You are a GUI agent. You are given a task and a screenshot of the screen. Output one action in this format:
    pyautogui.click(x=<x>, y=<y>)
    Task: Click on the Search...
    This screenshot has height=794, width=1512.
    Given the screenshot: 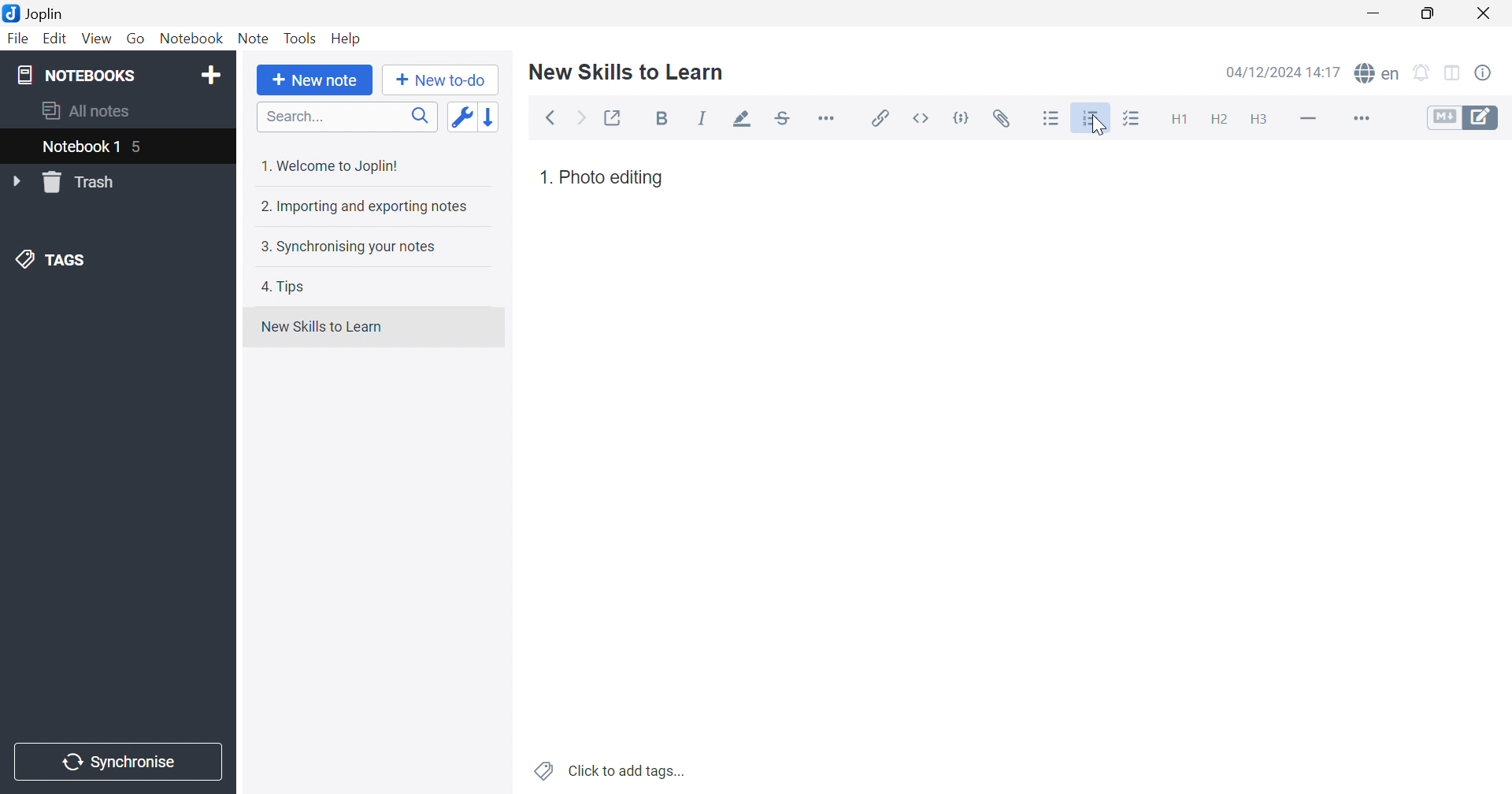 What is the action you would take?
    pyautogui.click(x=347, y=117)
    